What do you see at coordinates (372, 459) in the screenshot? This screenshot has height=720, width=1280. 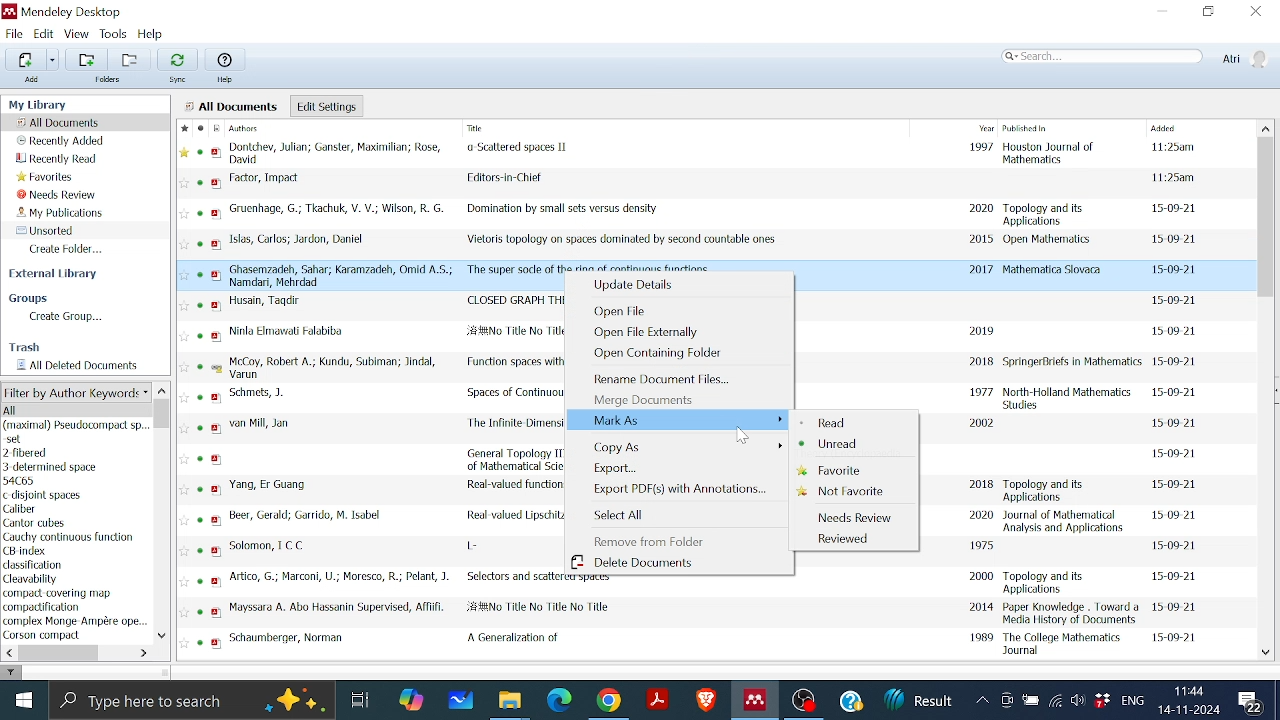 I see `General Topology III Paracompactness, Function Spaces, Descriptive Theory (Encyclopedia of Mathematical Sciences) ` at bounding box center [372, 459].